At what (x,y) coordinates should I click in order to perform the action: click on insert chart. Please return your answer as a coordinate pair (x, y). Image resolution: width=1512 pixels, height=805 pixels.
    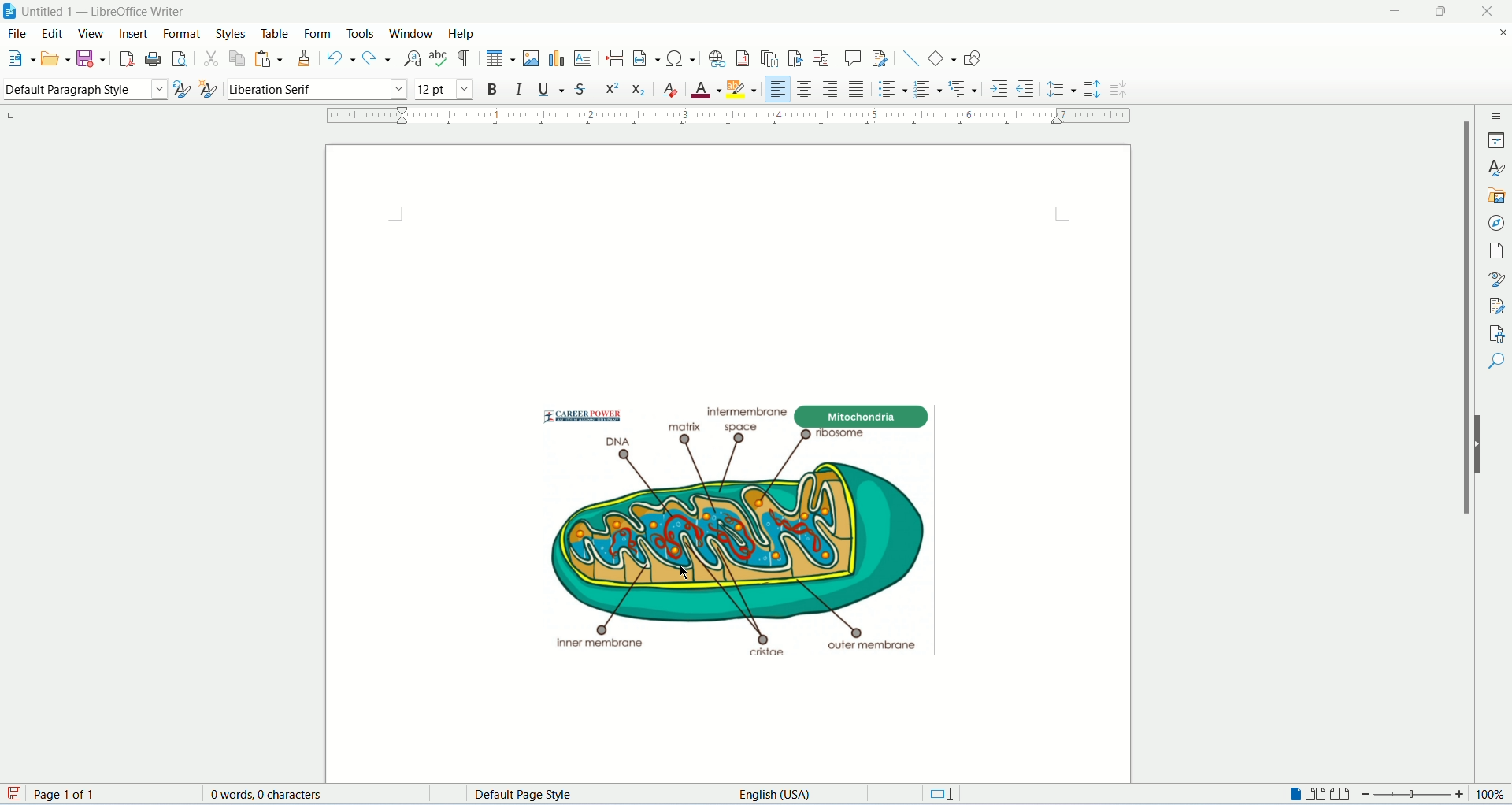
    Looking at the image, I should click on (556, 59).